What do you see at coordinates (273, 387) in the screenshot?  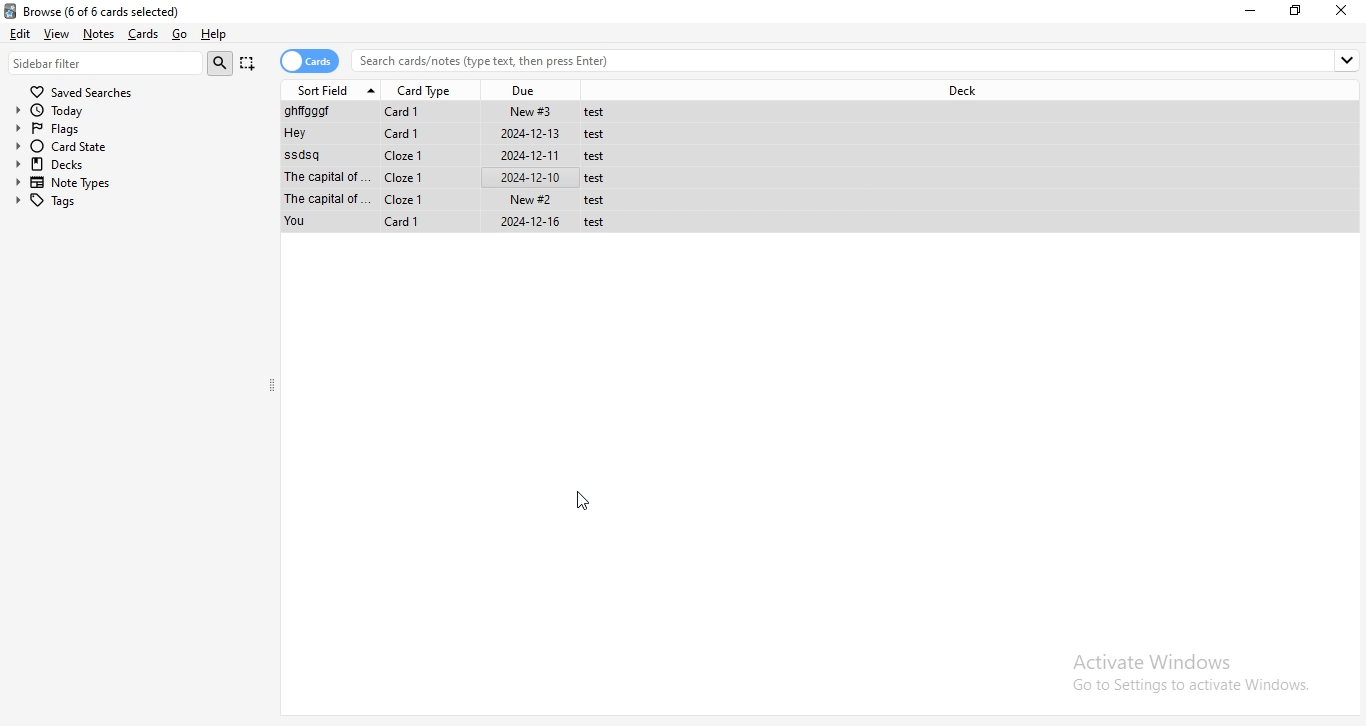 I see `collapse` at bounding box center [273, 387].